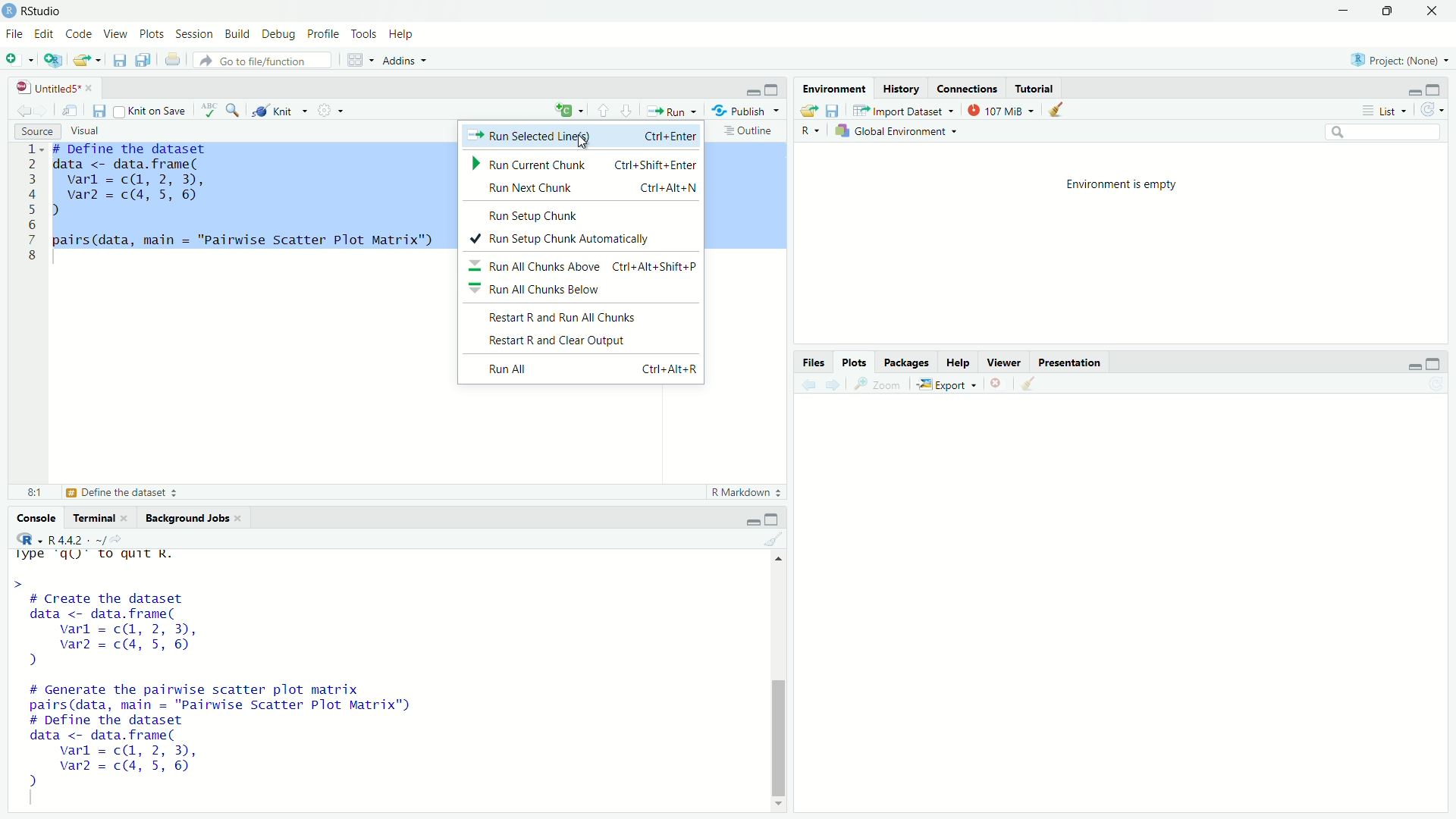 This screenshot has width=1456, height=819. What do you see at coordinates (1434, 91) in the screenshot?
I see `Maximize` at bounding box center [1434, 91].